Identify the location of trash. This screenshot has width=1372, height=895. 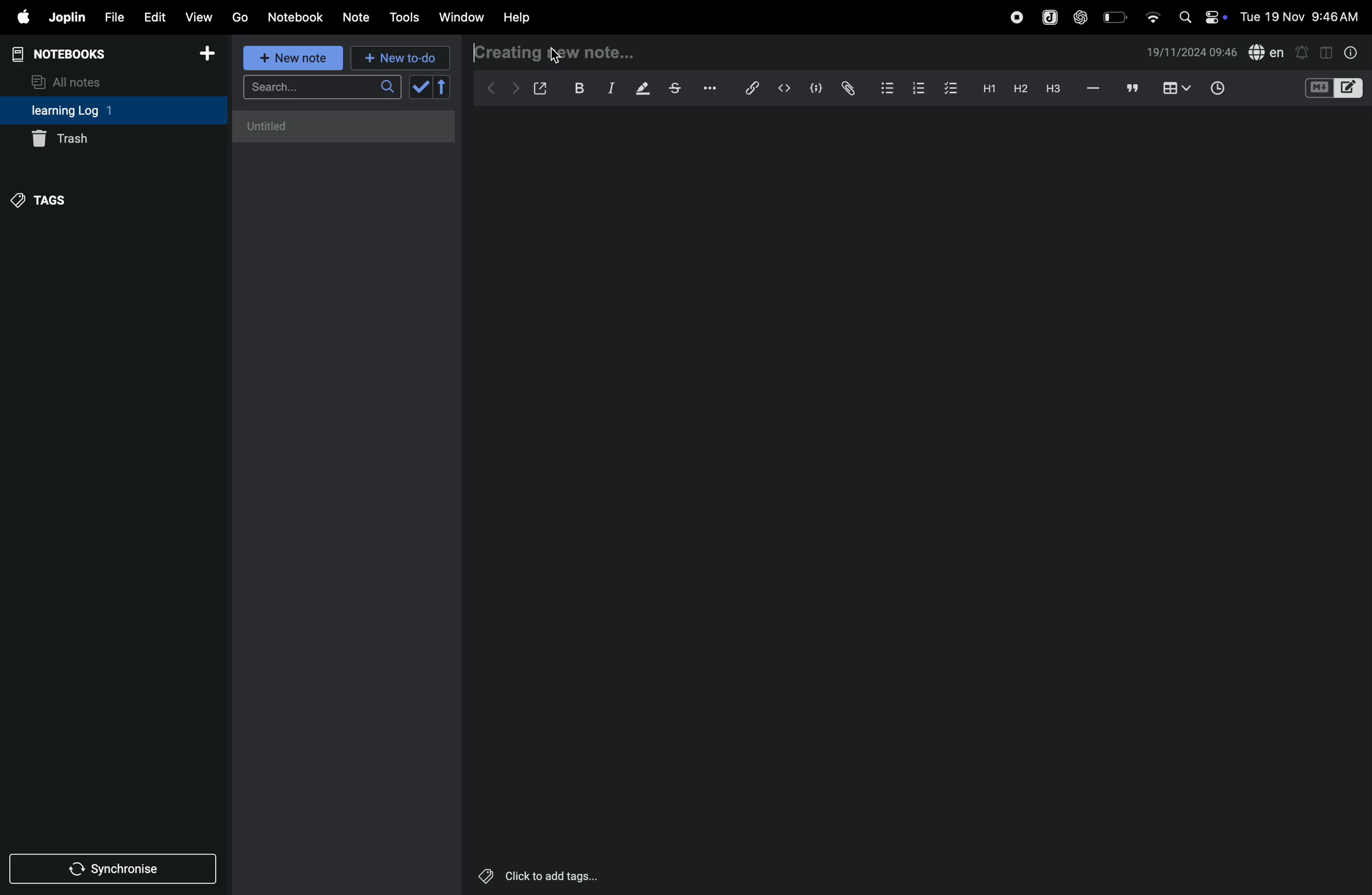
(113, 138).